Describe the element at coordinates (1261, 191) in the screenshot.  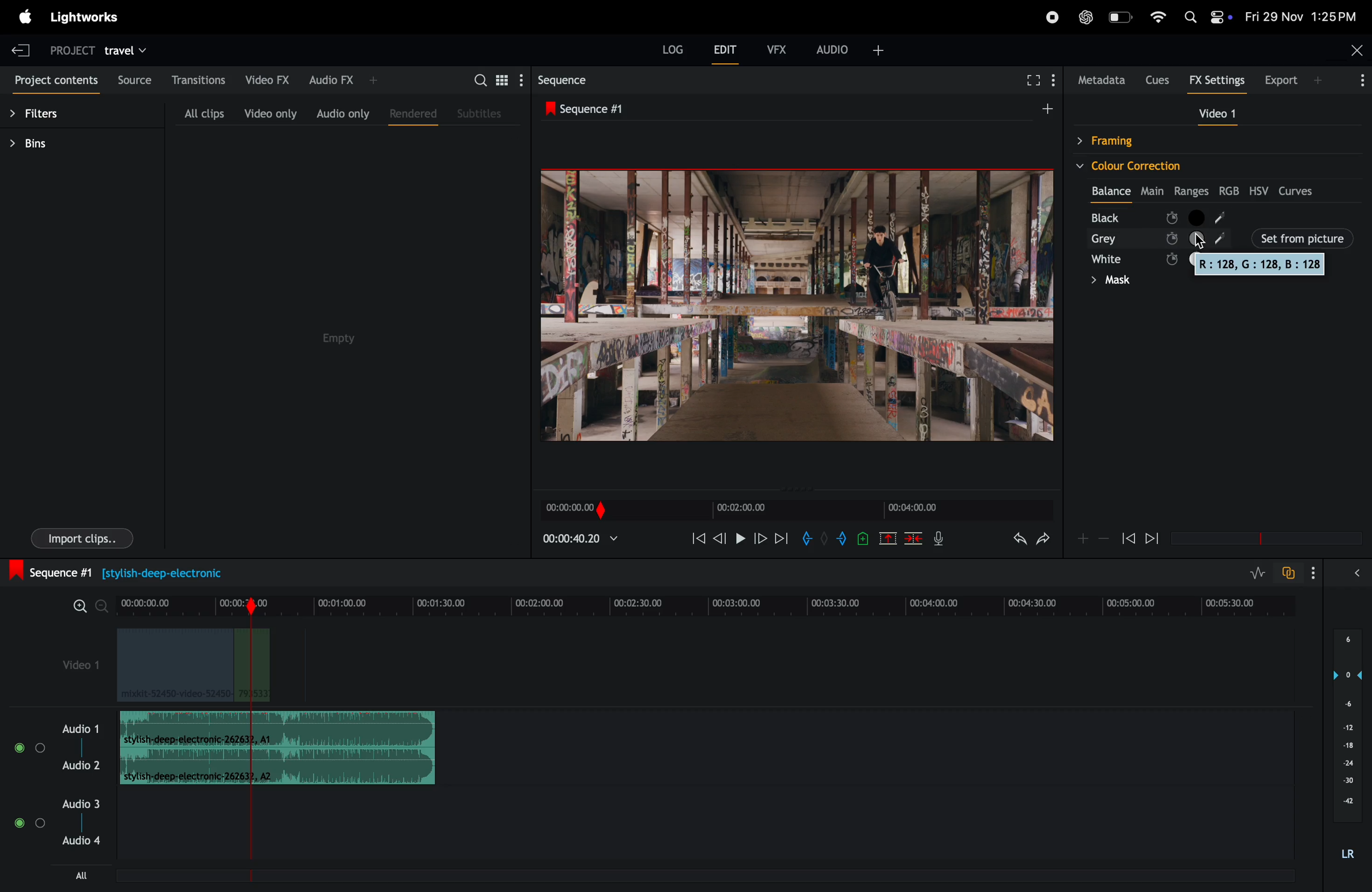
I see `hsv` at that location.